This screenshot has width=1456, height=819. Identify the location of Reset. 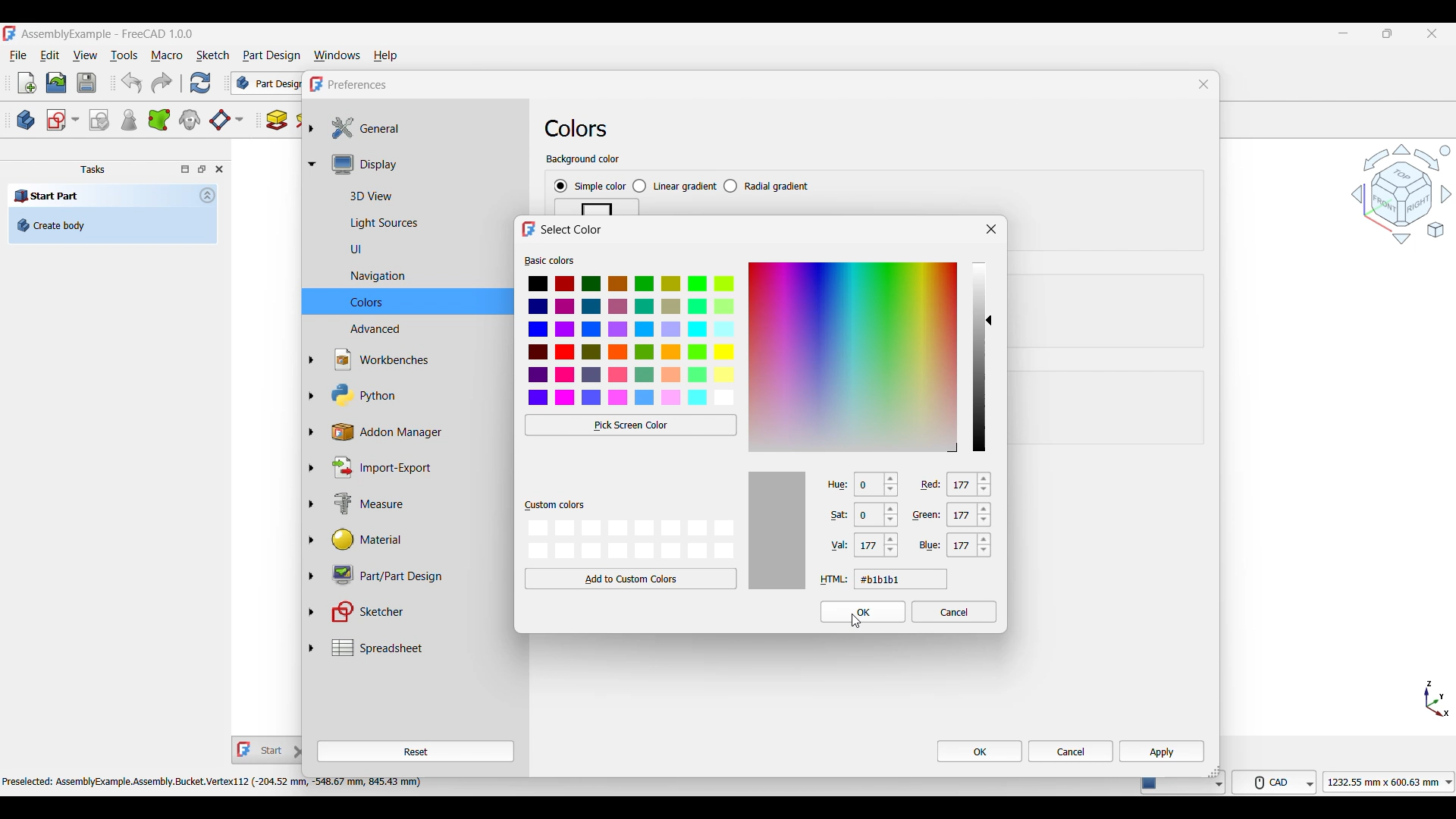
(416, 752).